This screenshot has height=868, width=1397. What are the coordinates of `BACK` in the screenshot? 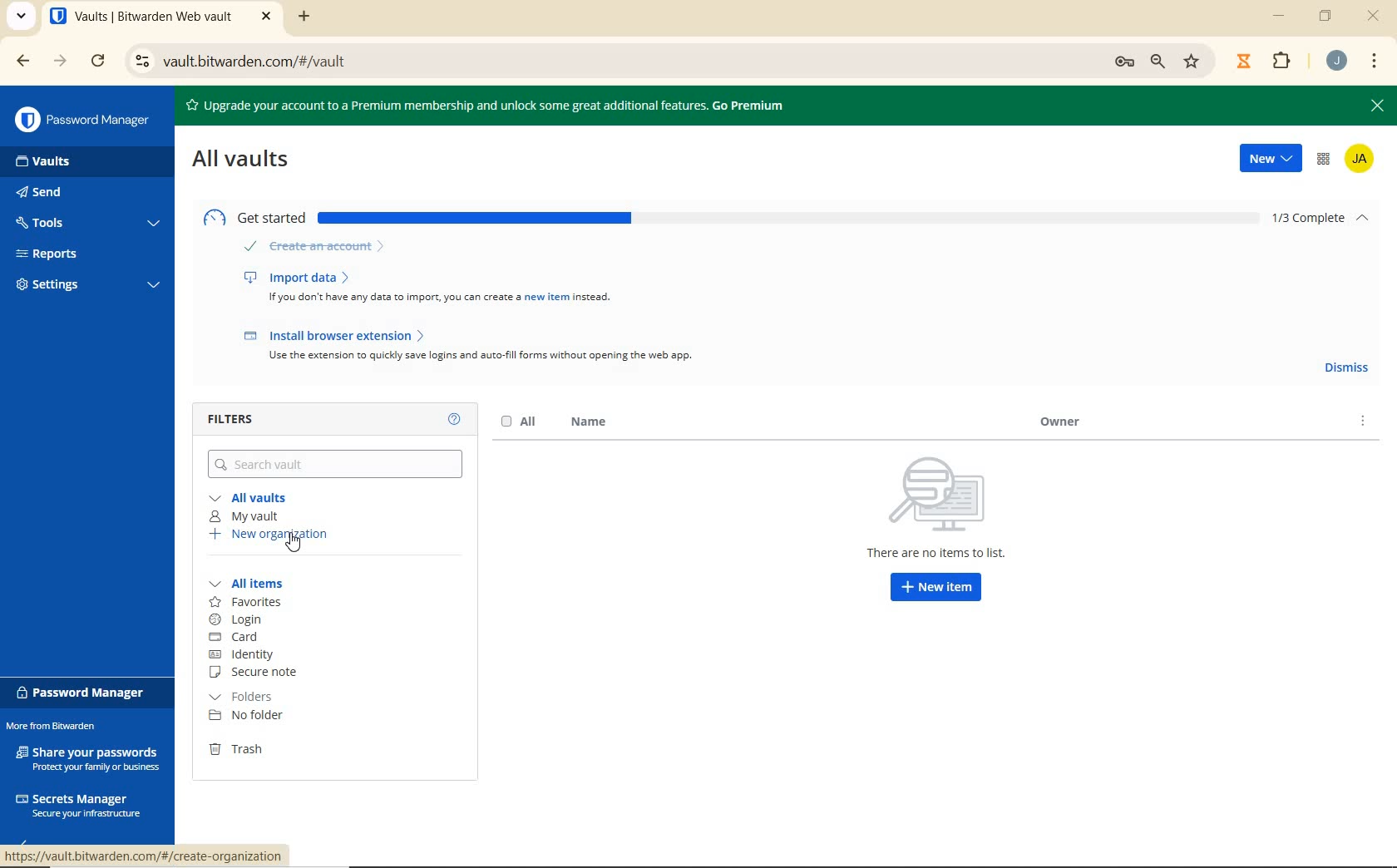 It's located at (15, 61).